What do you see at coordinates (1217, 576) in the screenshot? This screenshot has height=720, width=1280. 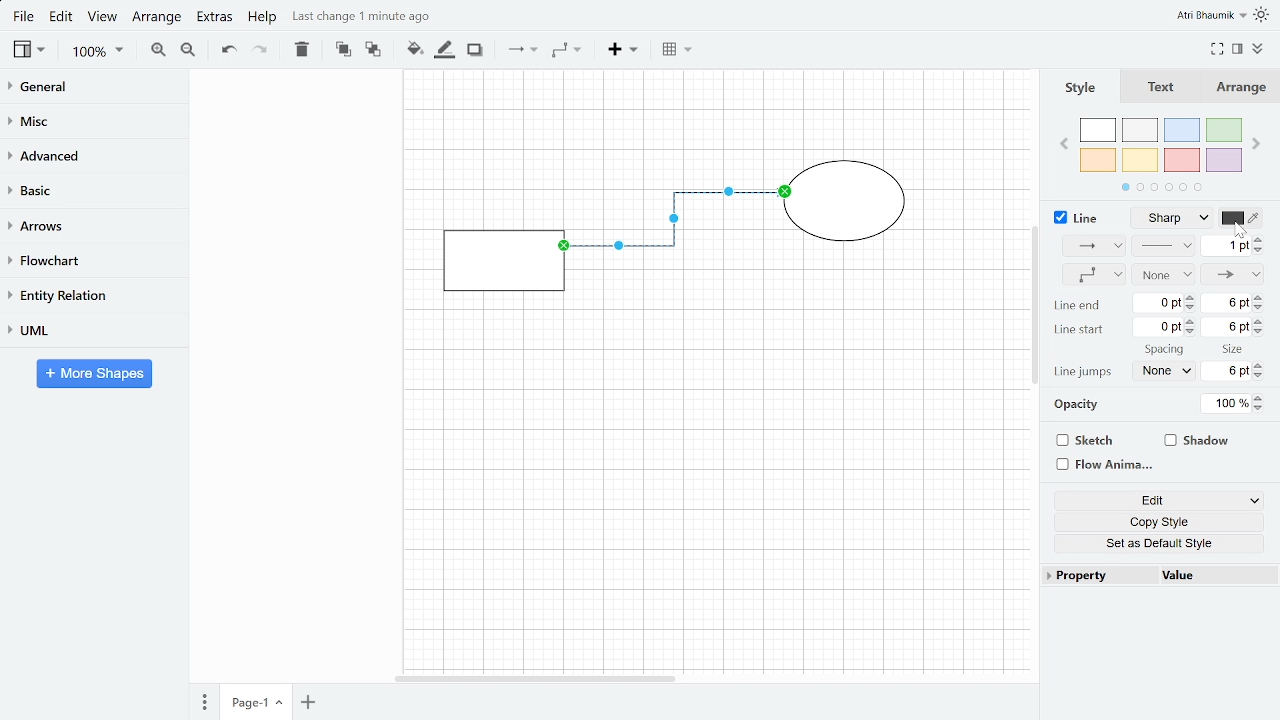 I see `Value` at bounding box center [1217, 576].